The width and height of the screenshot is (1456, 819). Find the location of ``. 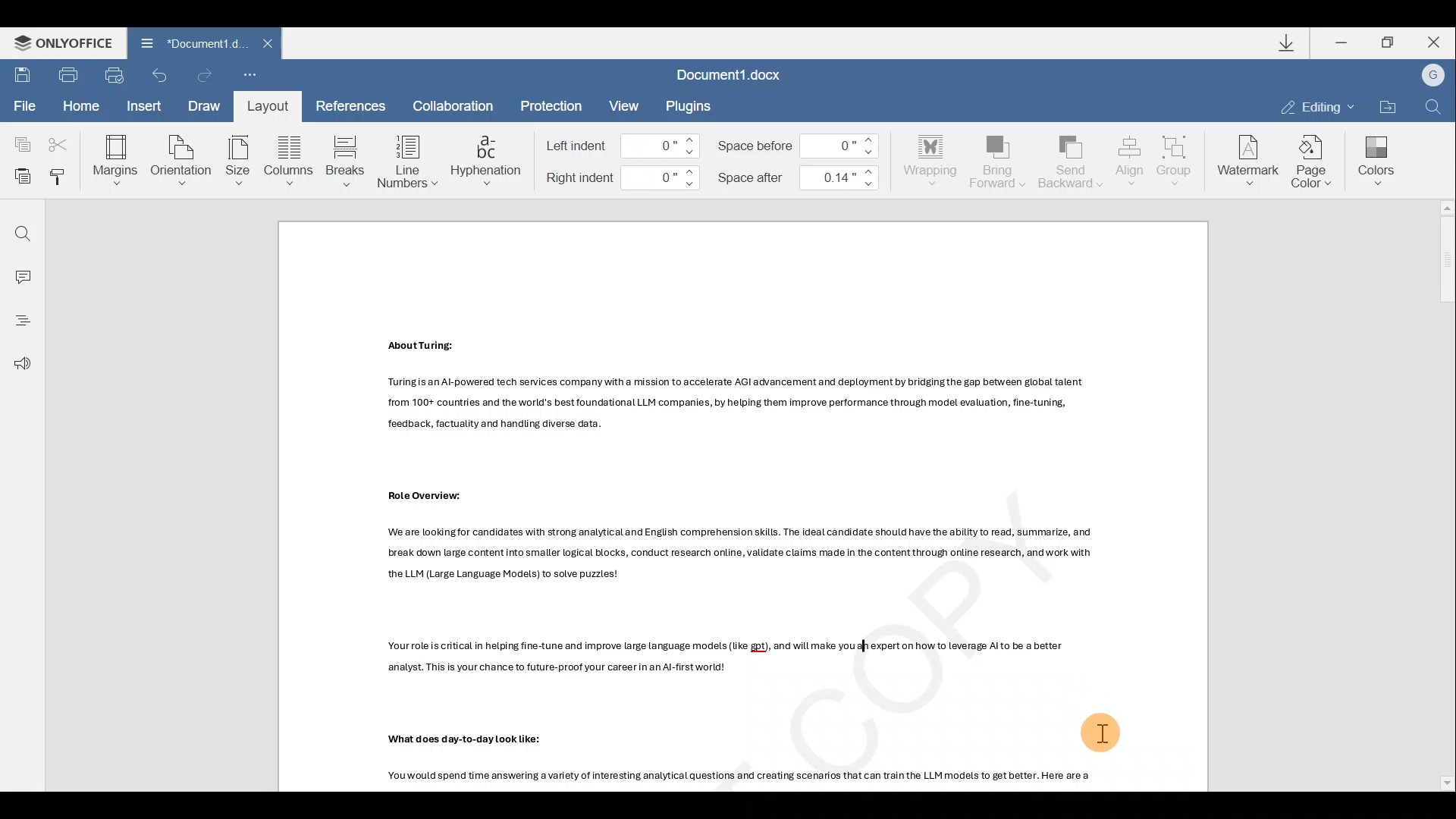

 is located at coordinates (742, 777).